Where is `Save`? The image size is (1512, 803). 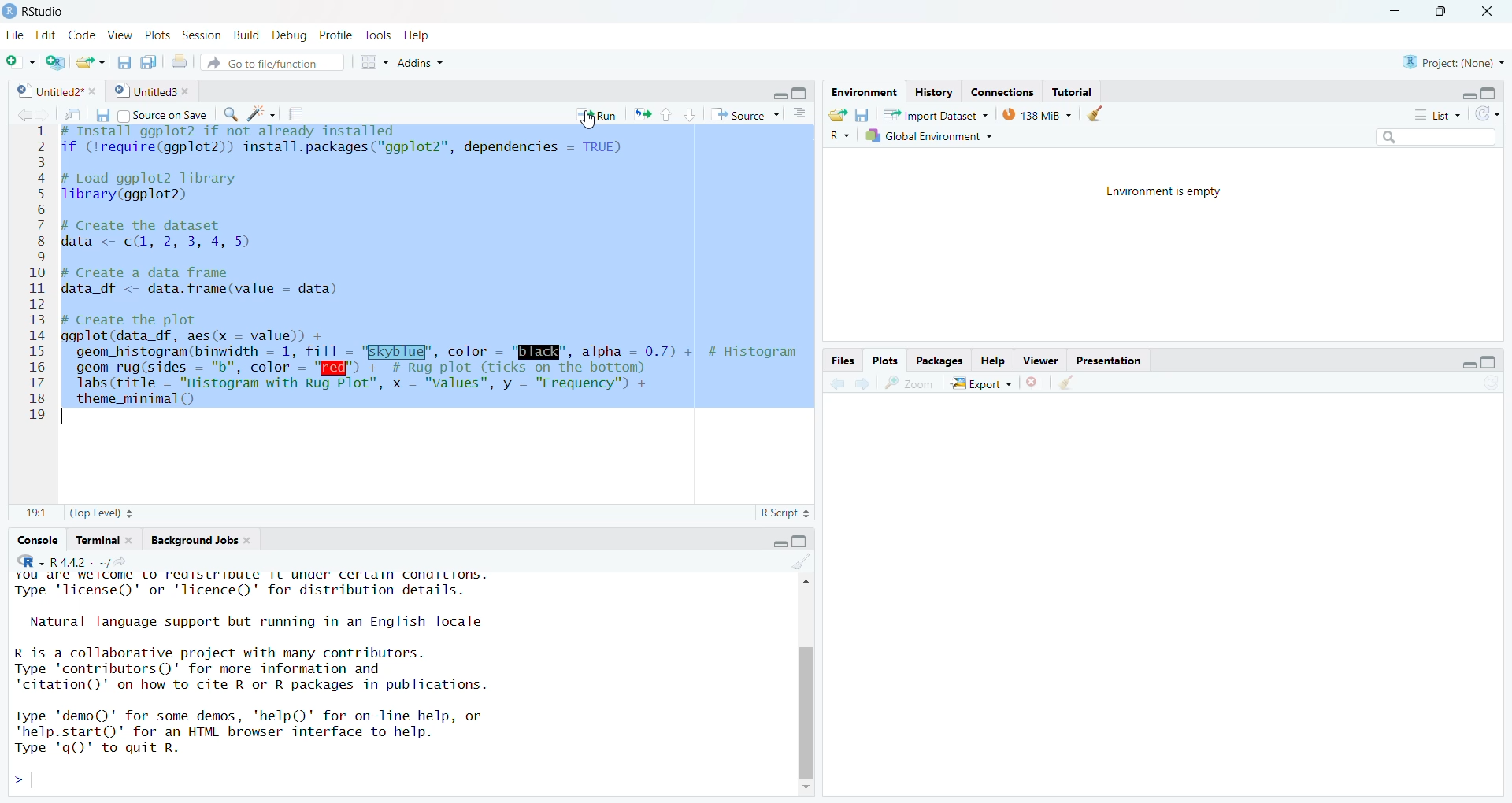 Save is located at coordinates (102, 114).